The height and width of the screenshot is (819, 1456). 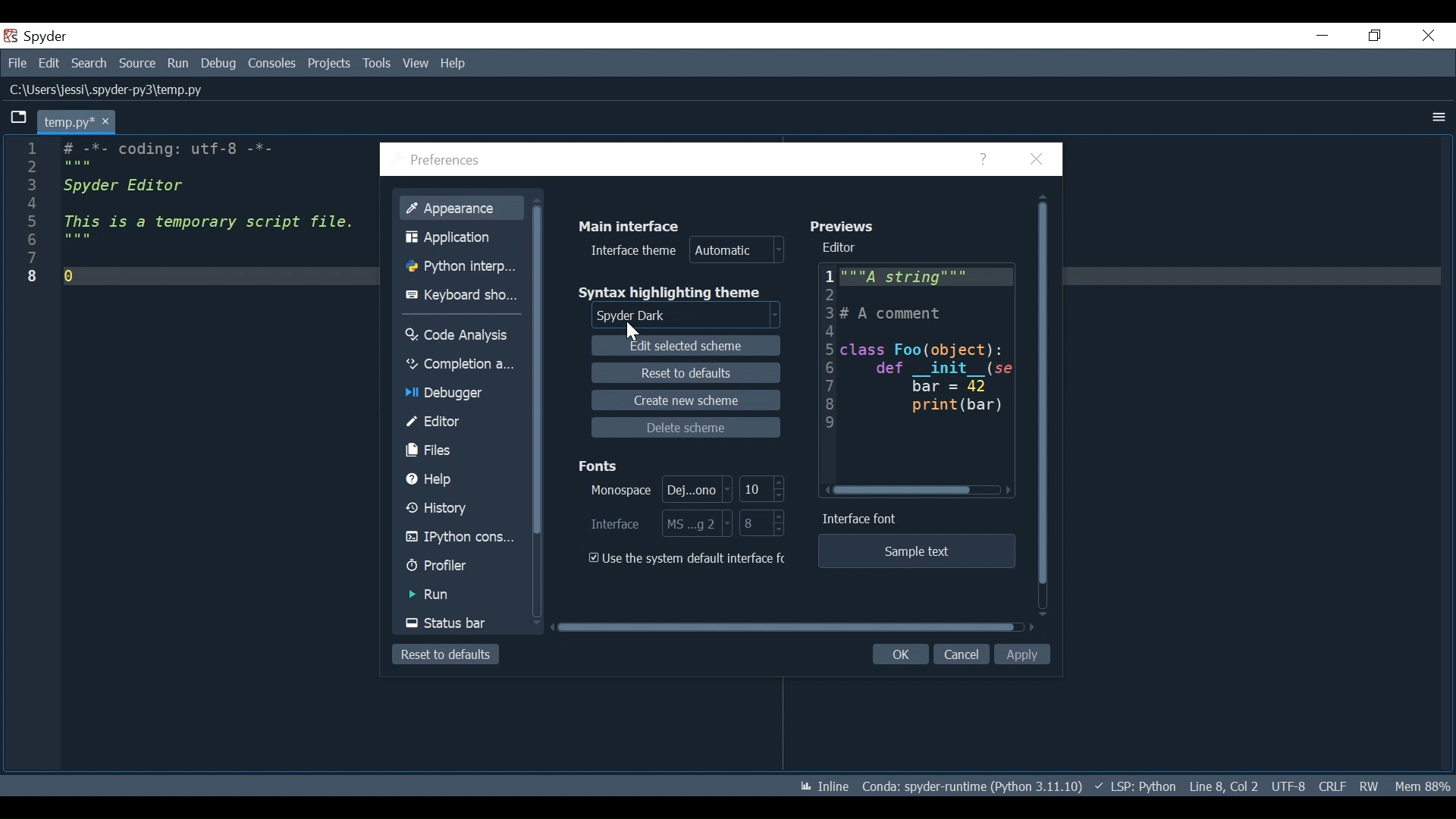 I want to click on Main Interface, so click(x=633, y=227).